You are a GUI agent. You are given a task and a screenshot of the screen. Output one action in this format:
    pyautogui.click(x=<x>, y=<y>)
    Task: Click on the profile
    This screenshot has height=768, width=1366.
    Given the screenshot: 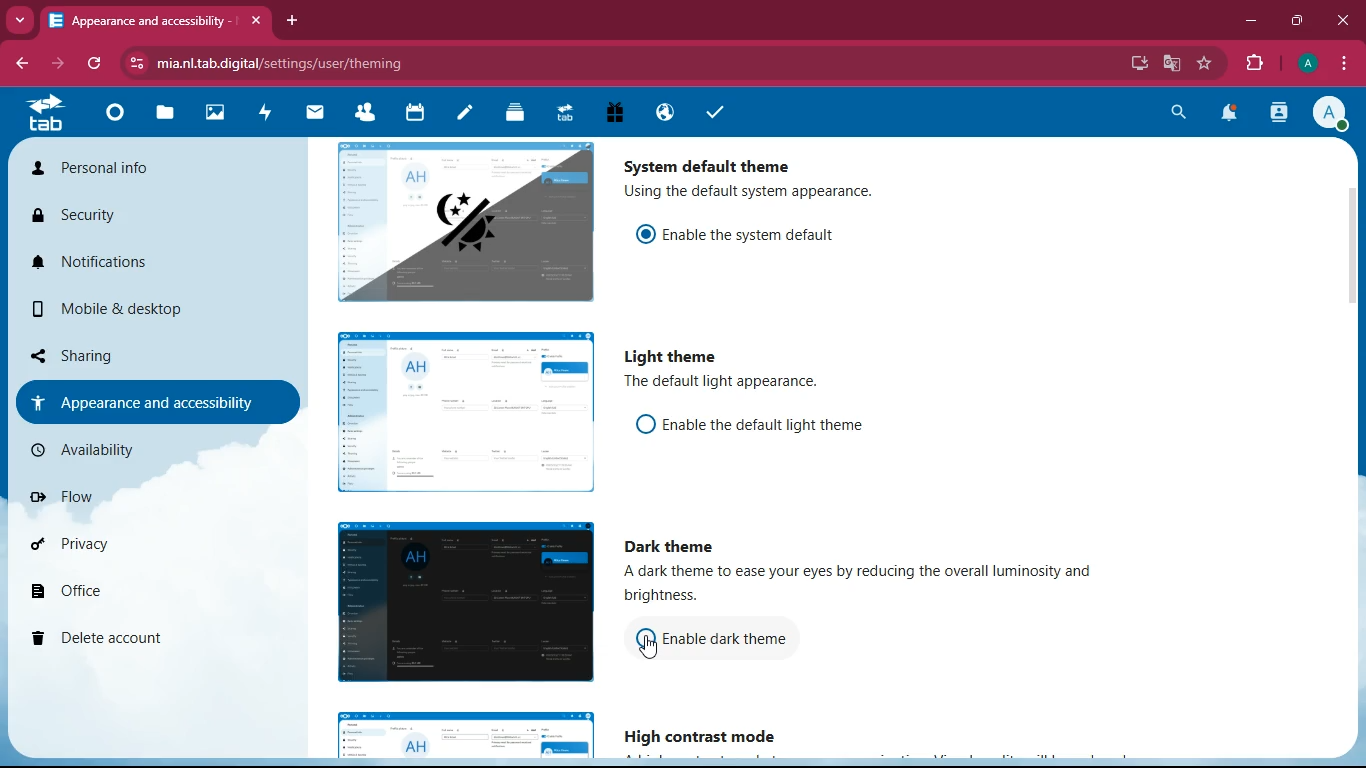 What is the action you would take?
    pyautogui.click(x=1335, y=115)
    